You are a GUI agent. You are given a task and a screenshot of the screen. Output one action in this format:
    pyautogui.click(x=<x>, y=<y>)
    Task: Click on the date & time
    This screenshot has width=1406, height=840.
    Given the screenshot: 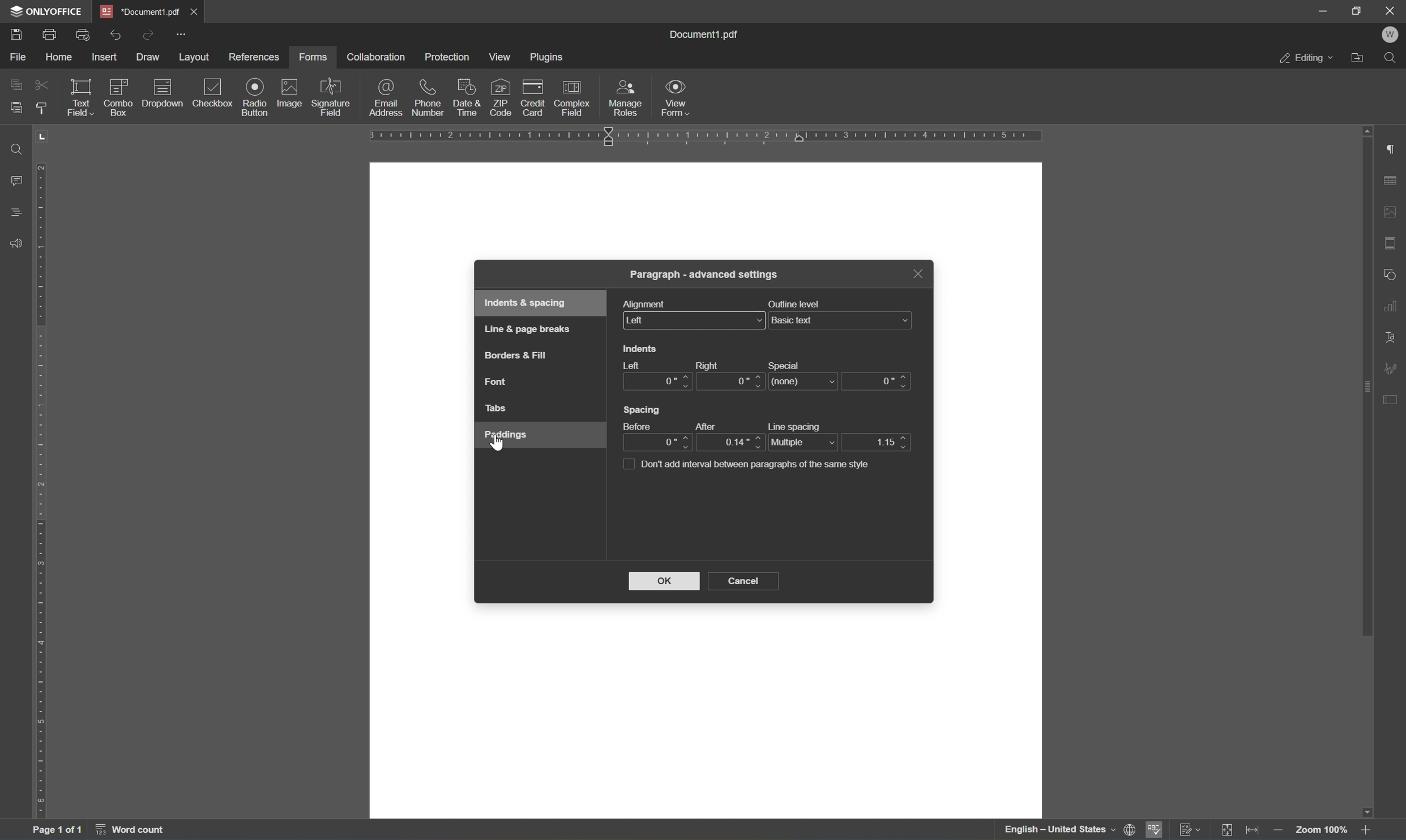 What is the action you would take?
    pyautogui.click(x=466, y=96)
    